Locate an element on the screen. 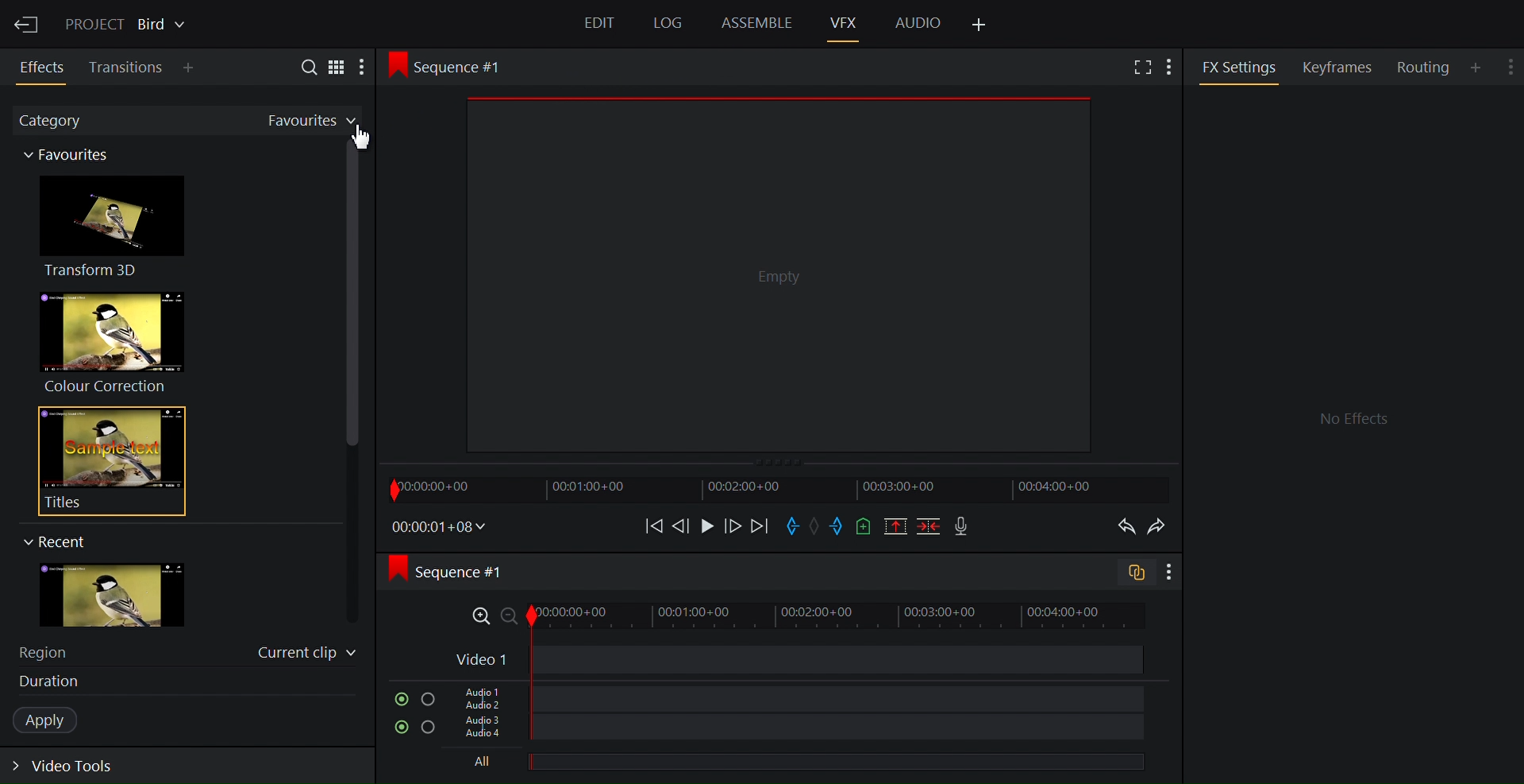 The height and width of the screenshot is (784, 1524). Apply is located at coordinates (53, 721).